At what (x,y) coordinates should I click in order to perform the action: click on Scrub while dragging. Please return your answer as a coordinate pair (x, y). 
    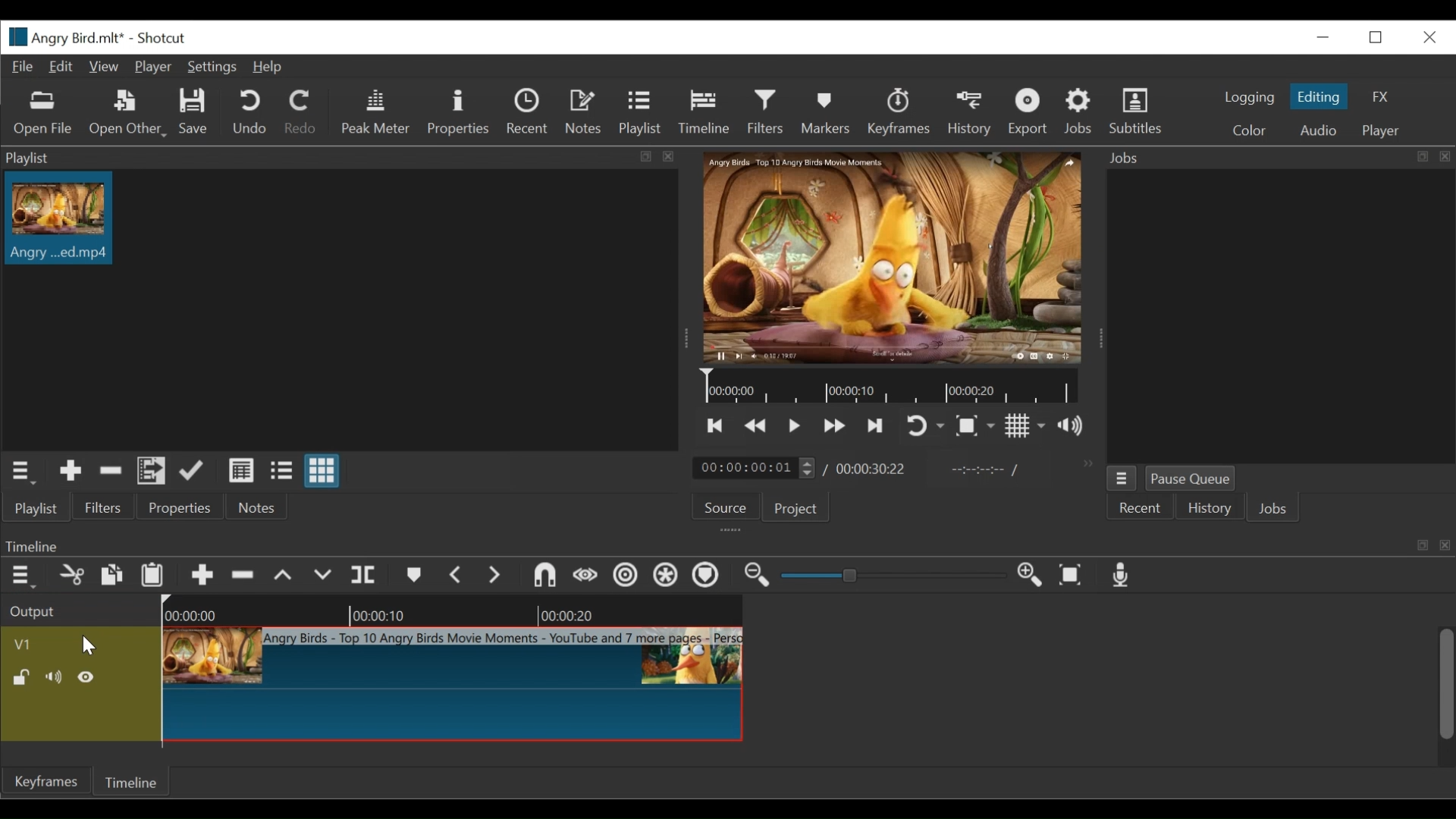
    Looking at the image, I should click on (585, 576).